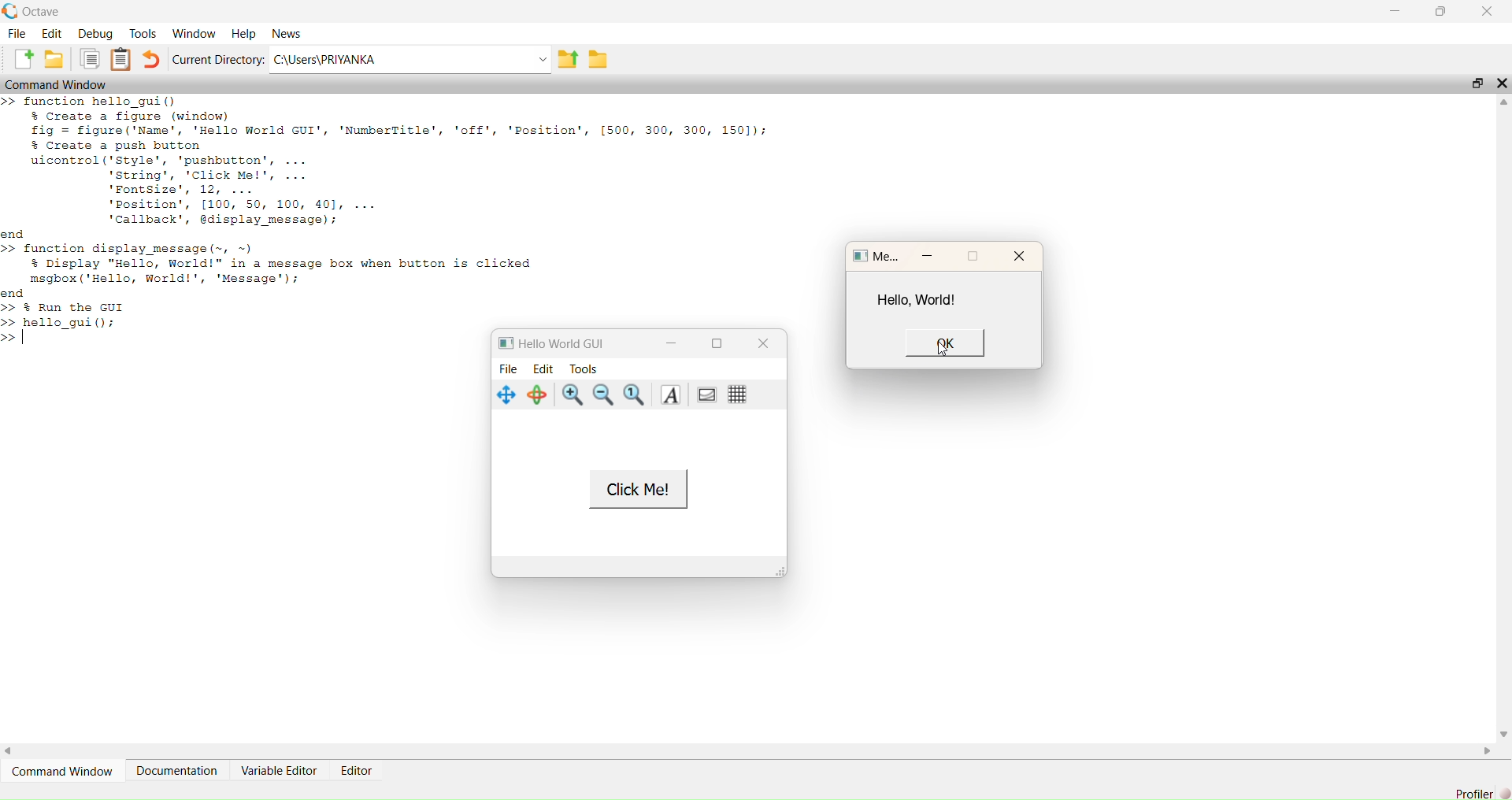 Image resolution: width=1512 pixels, height=800 pixels. I want to click on maximise, so click(1443, 13).